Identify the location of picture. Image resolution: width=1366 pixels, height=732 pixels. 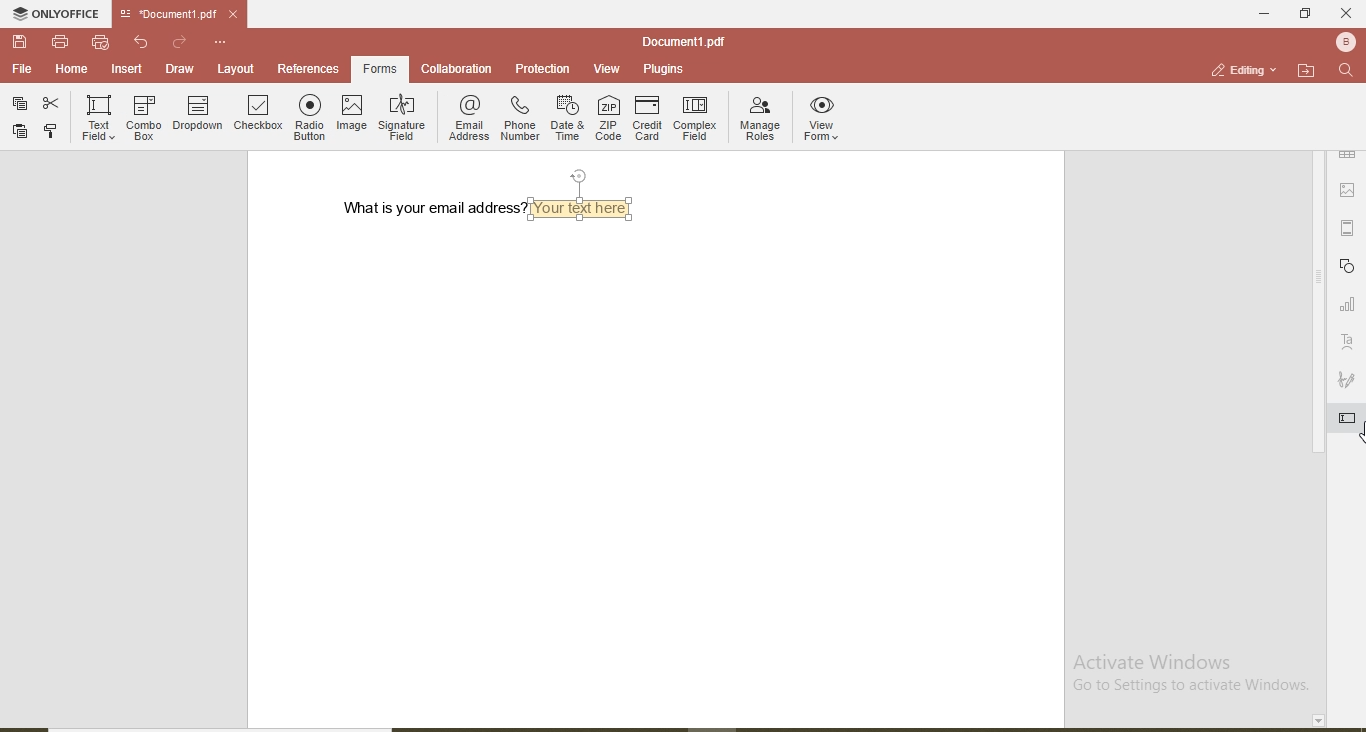
(1351, 189).